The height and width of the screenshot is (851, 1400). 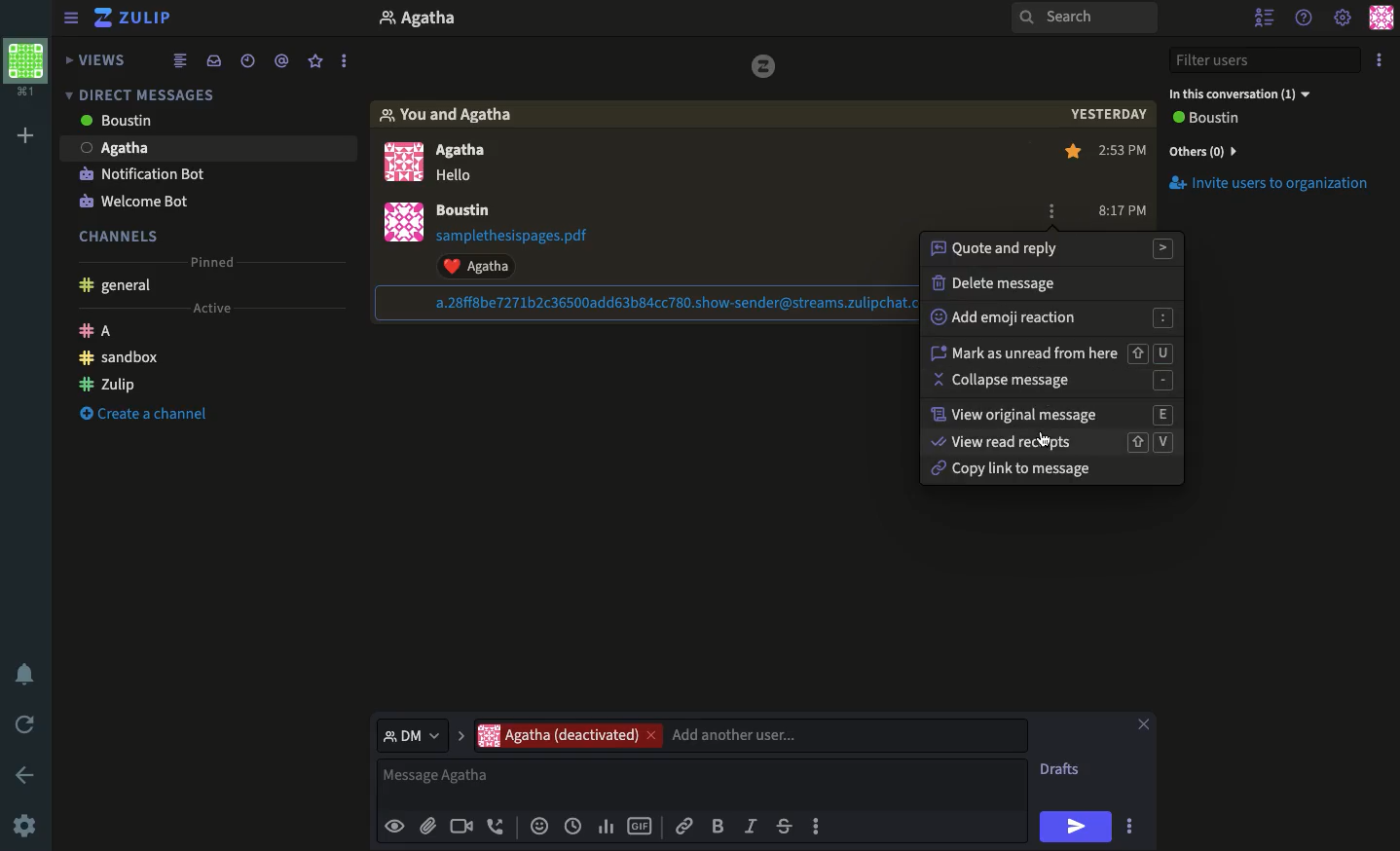 What do you see at coordinates (346, 56) in the screenshot?
I see `options` at bounding box center [346, 56].